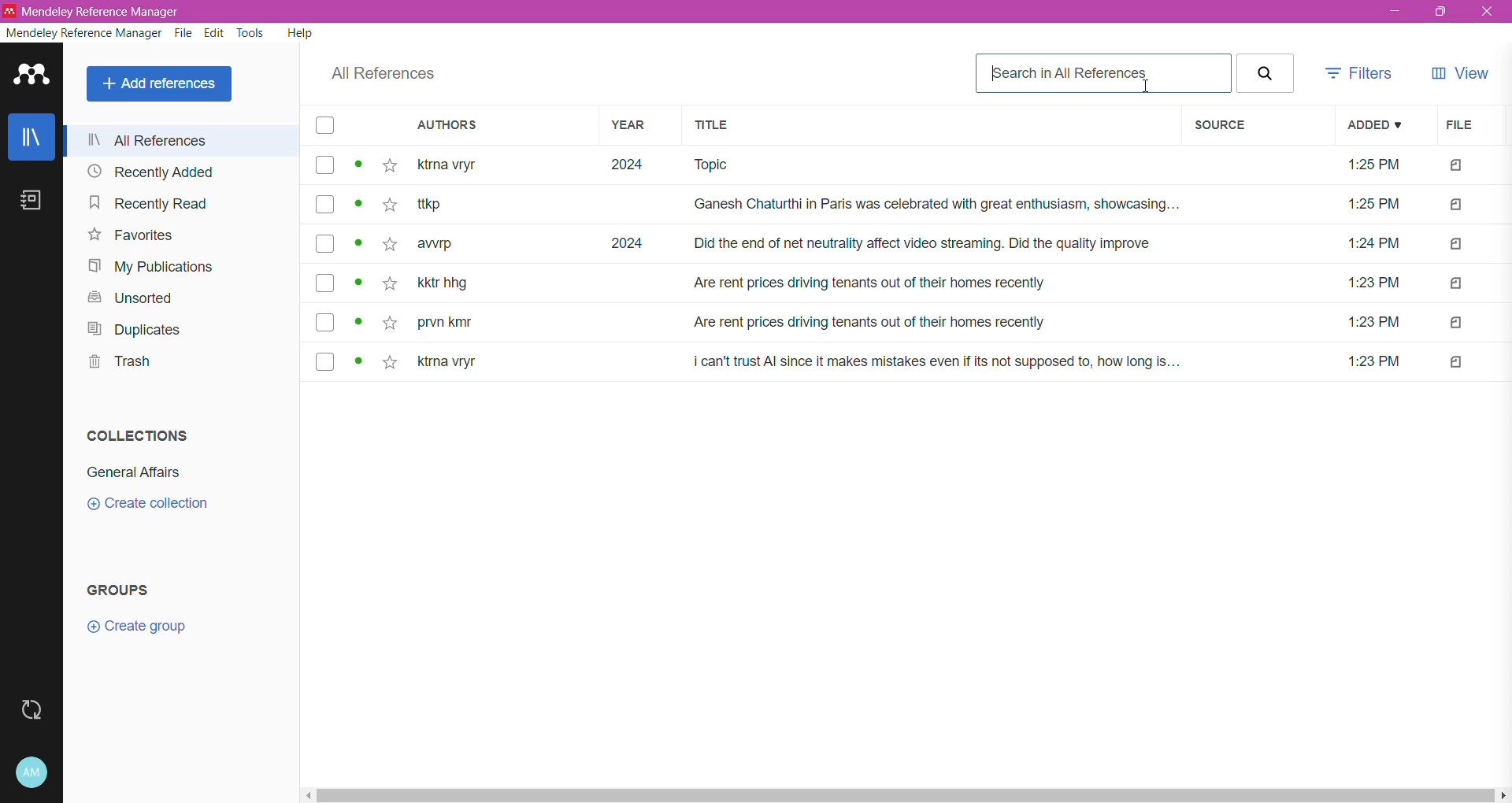  I want to click on Unsorted, so click(126, 298).